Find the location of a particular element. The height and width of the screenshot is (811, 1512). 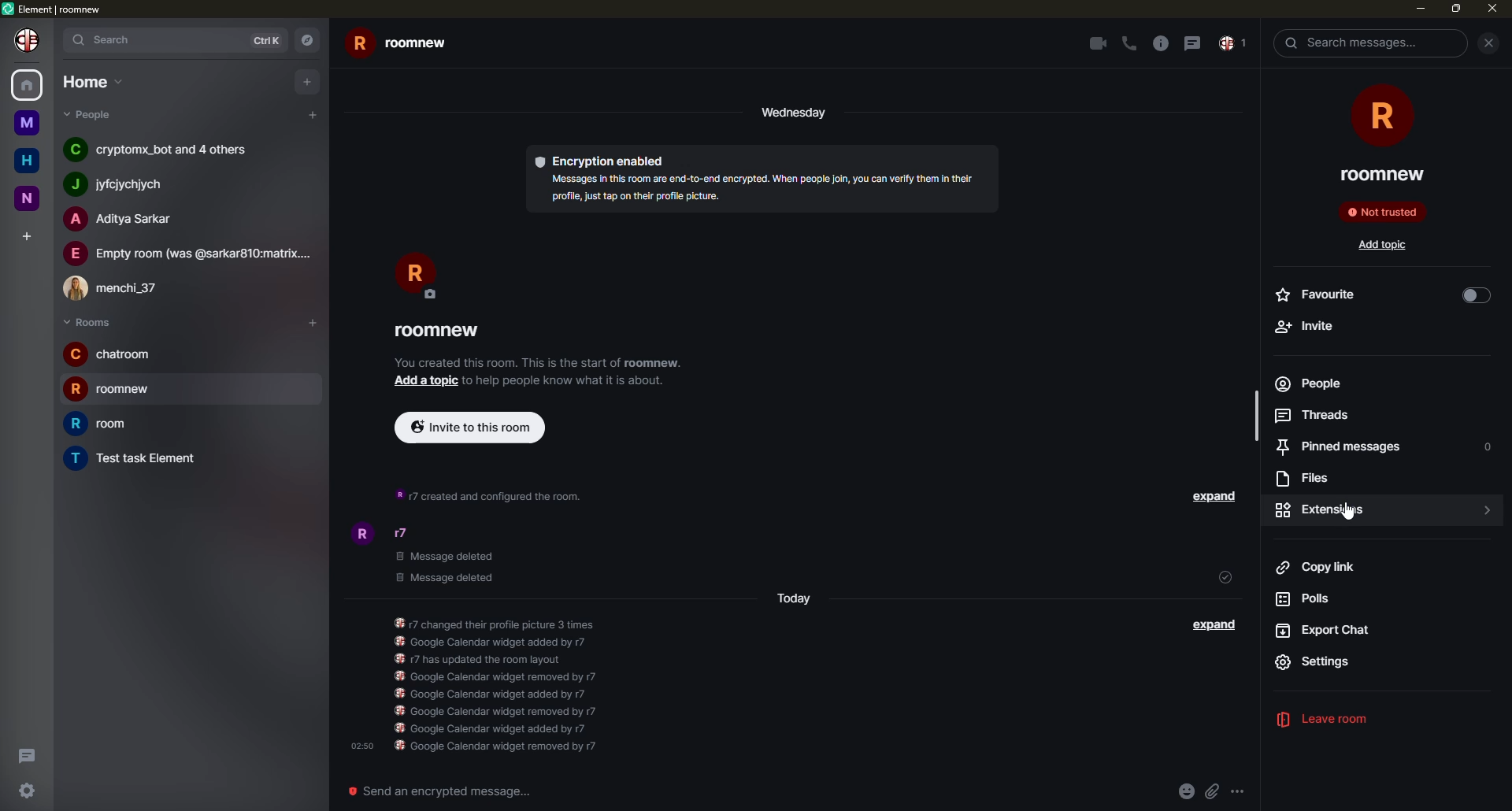

room is located at coordinates (400, 45).